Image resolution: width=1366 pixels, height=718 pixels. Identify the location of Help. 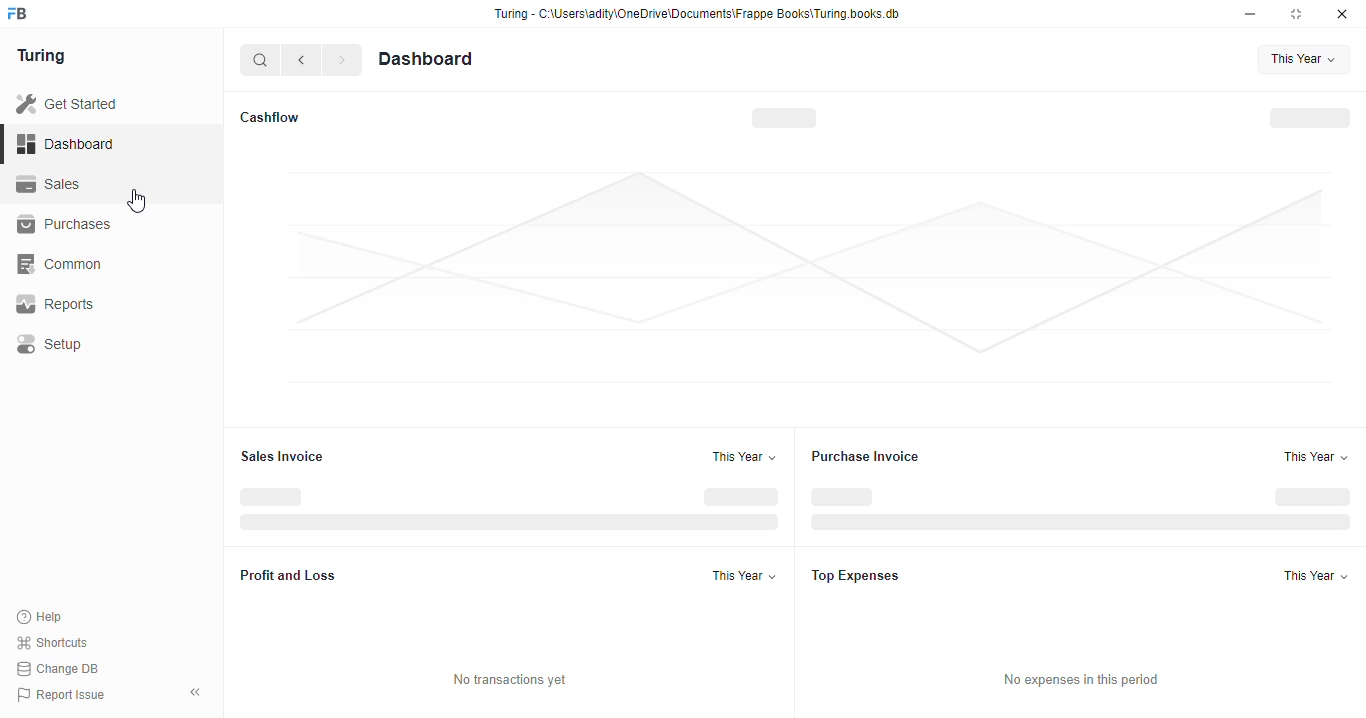
(42, 618).